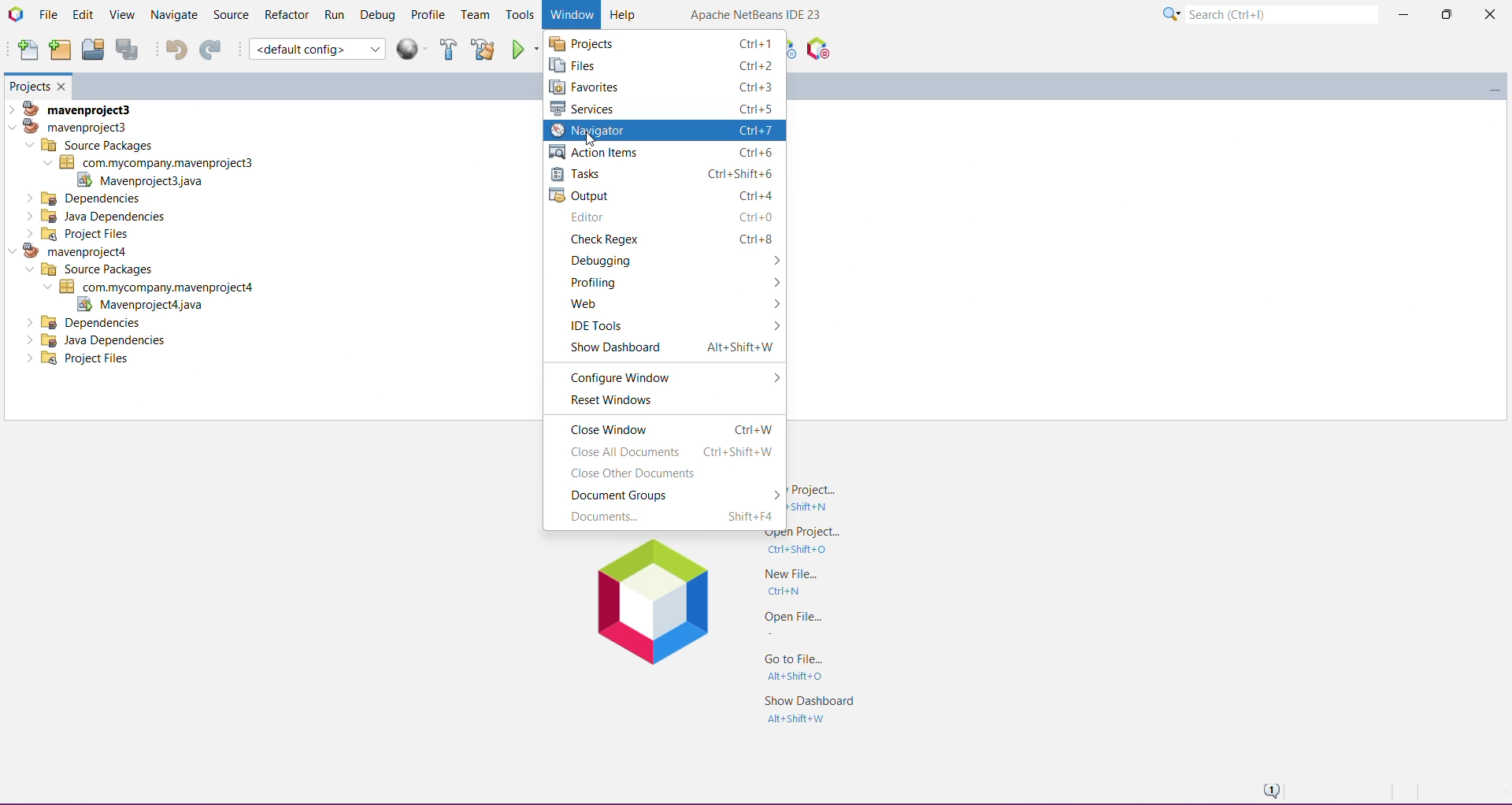 The width and height of the screenshot is (1512, 805). I want to click on Show Dashboard, so click(806, 709).